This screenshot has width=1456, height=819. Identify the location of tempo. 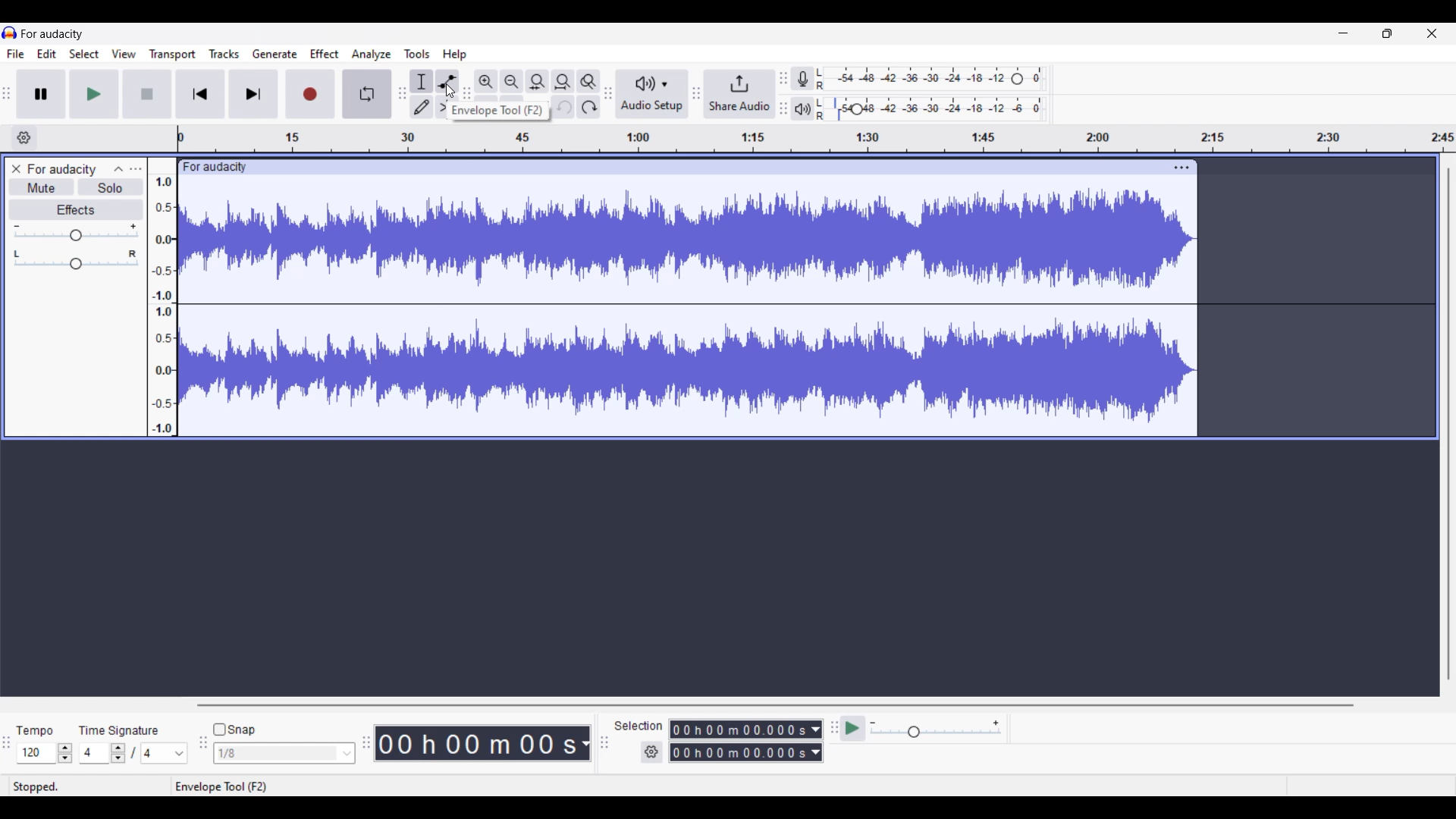
(33, 731).